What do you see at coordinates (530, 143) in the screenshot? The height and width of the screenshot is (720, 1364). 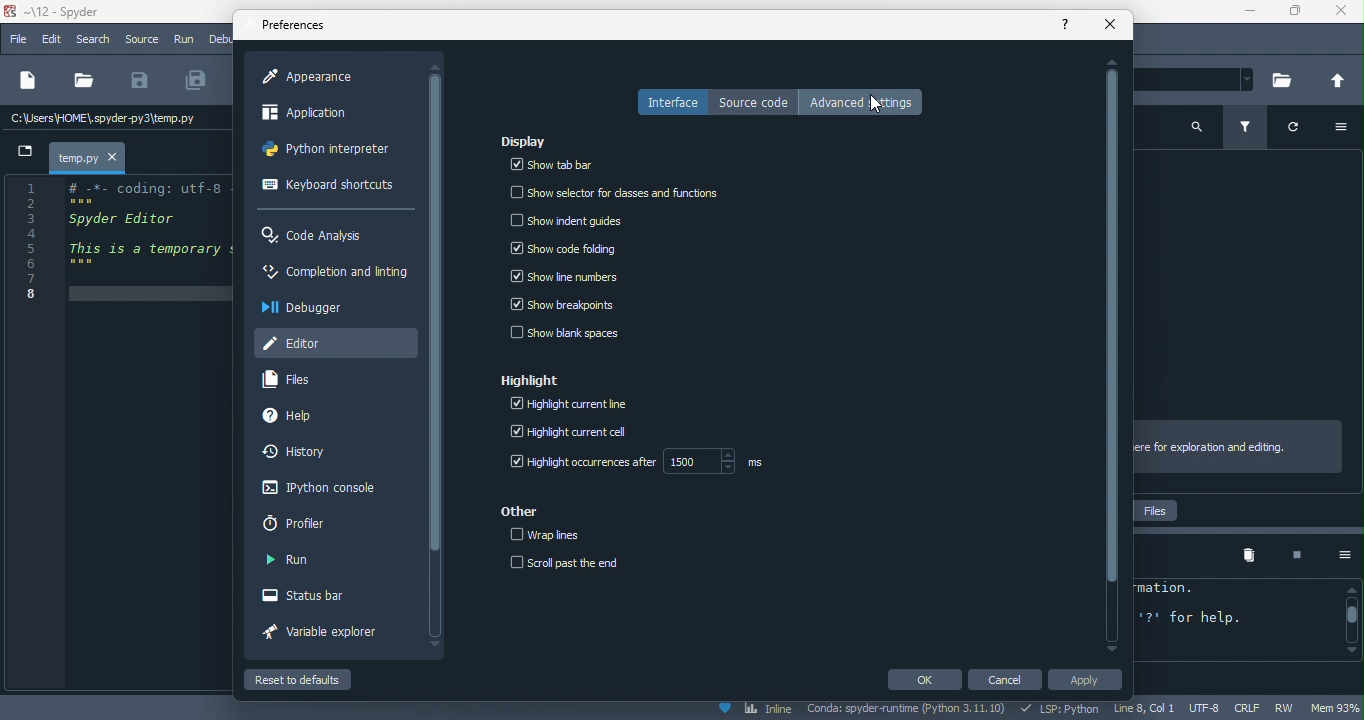 I see `display` at bounding box center [530, 143].